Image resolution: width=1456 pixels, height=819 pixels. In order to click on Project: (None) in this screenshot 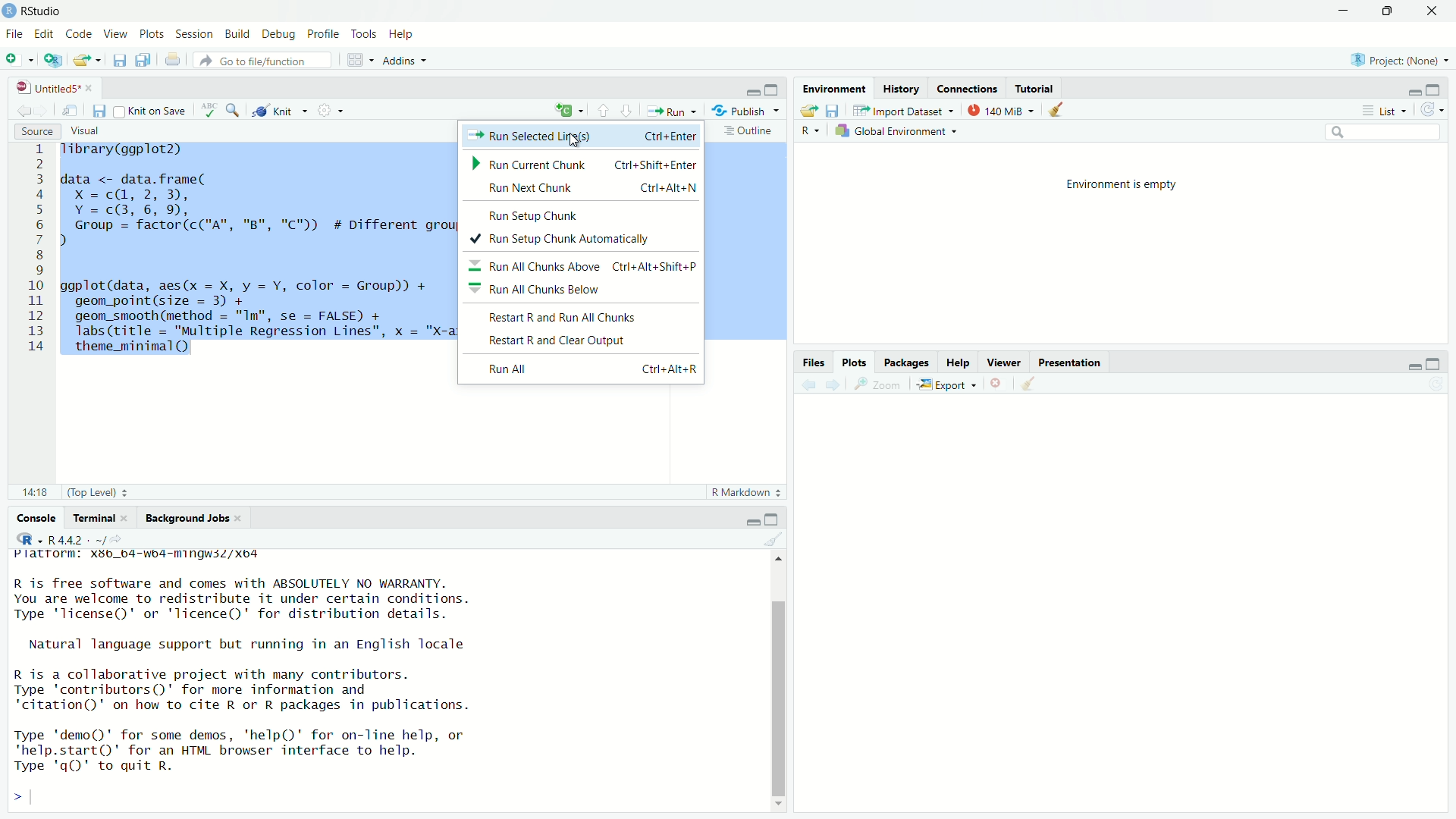, I will do `click(1398, 61)`.